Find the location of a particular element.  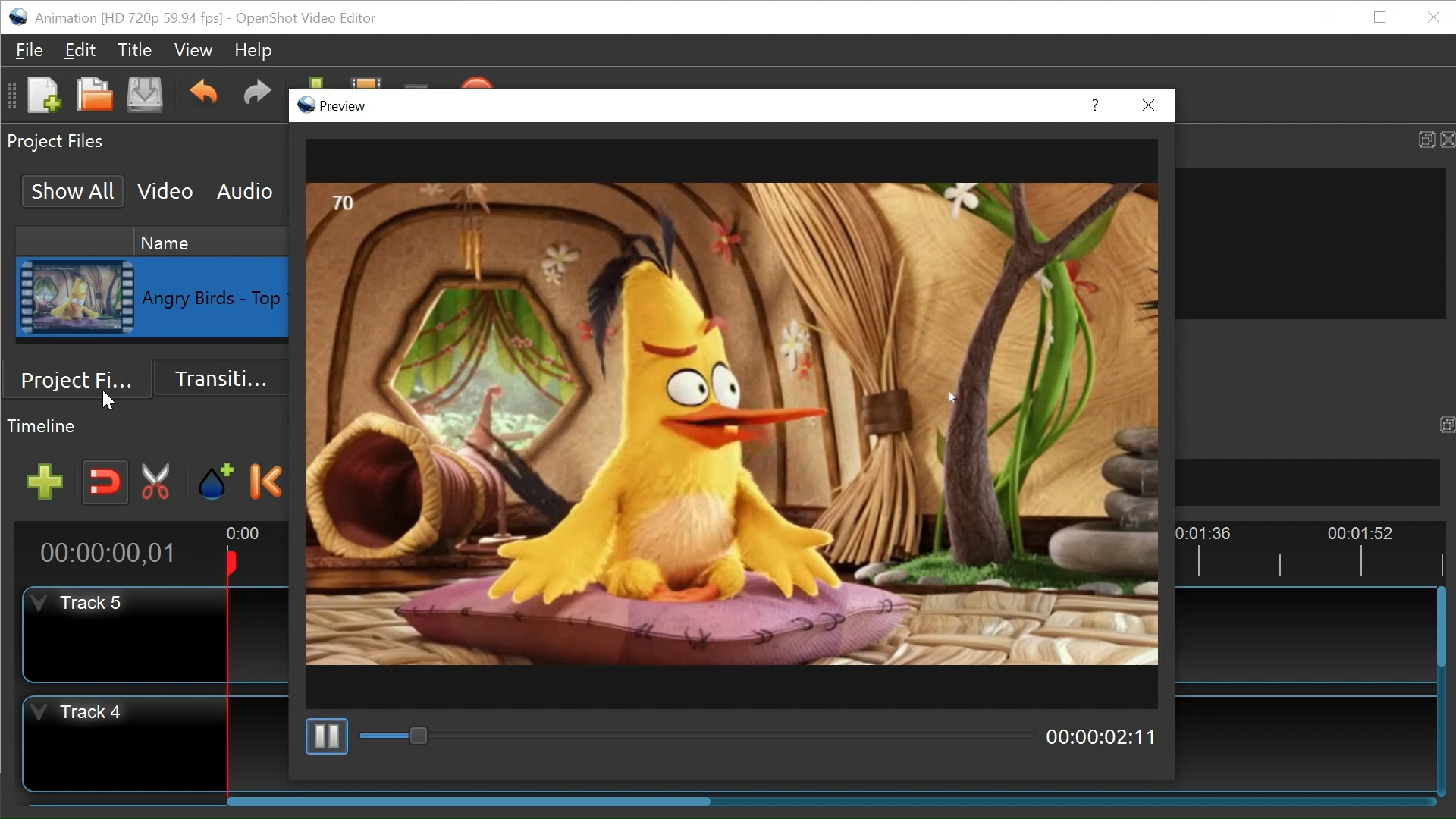

OpenShot Video Editor is located at coordinates (306, 19).